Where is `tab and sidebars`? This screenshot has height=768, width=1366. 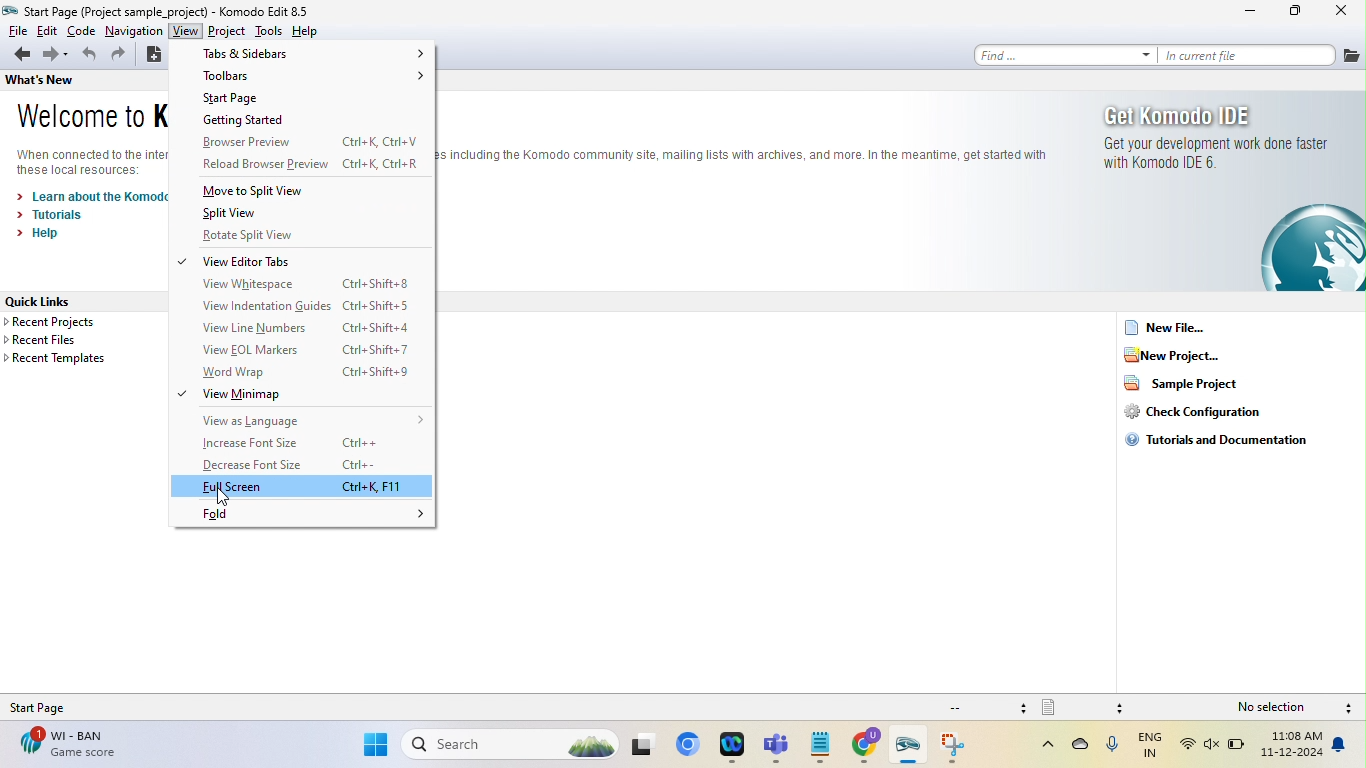
tab and sidebars is located at coordinates (312, 54).